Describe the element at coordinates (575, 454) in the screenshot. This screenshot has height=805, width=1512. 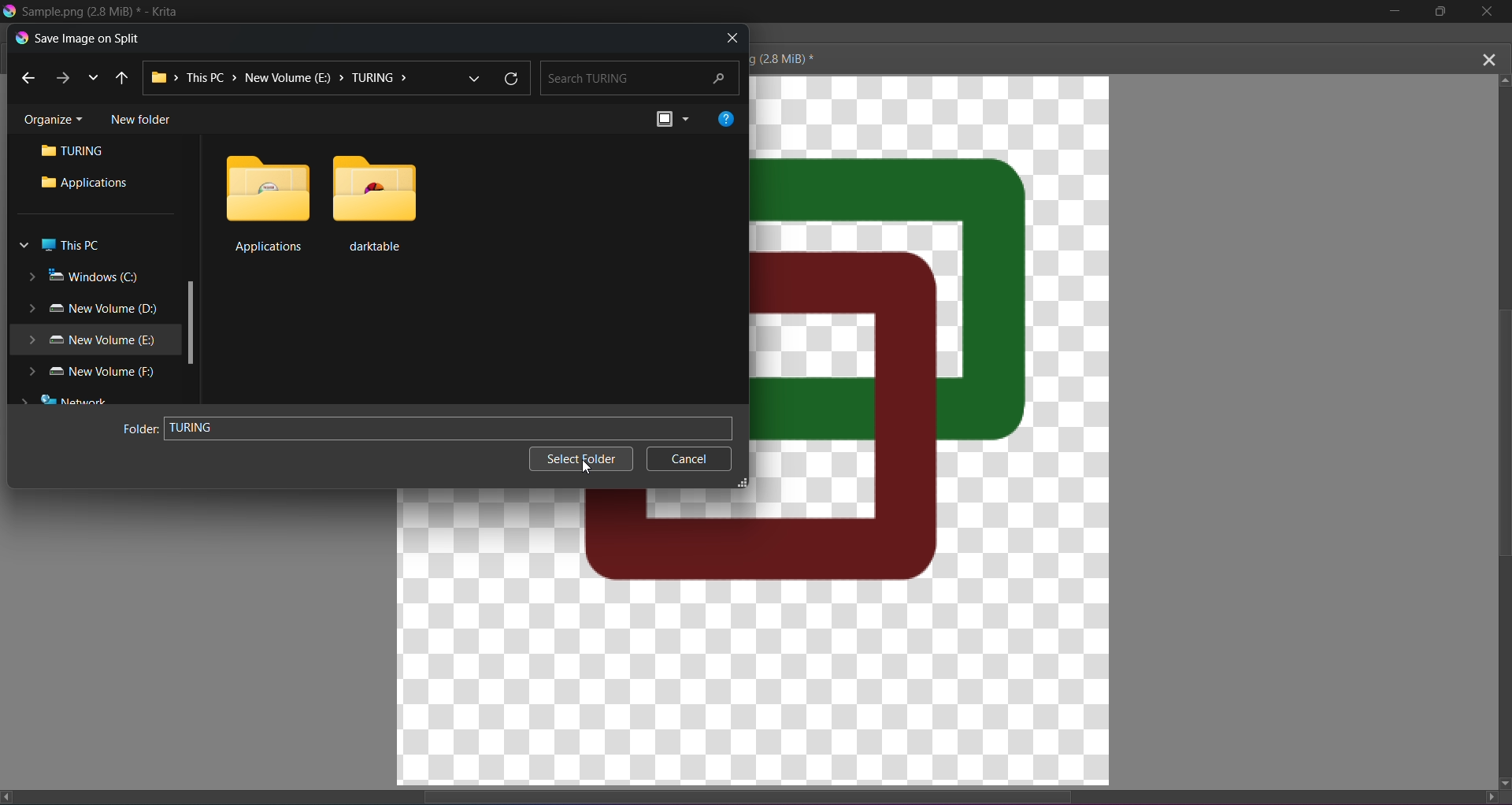
I see `Select folder` at that location.